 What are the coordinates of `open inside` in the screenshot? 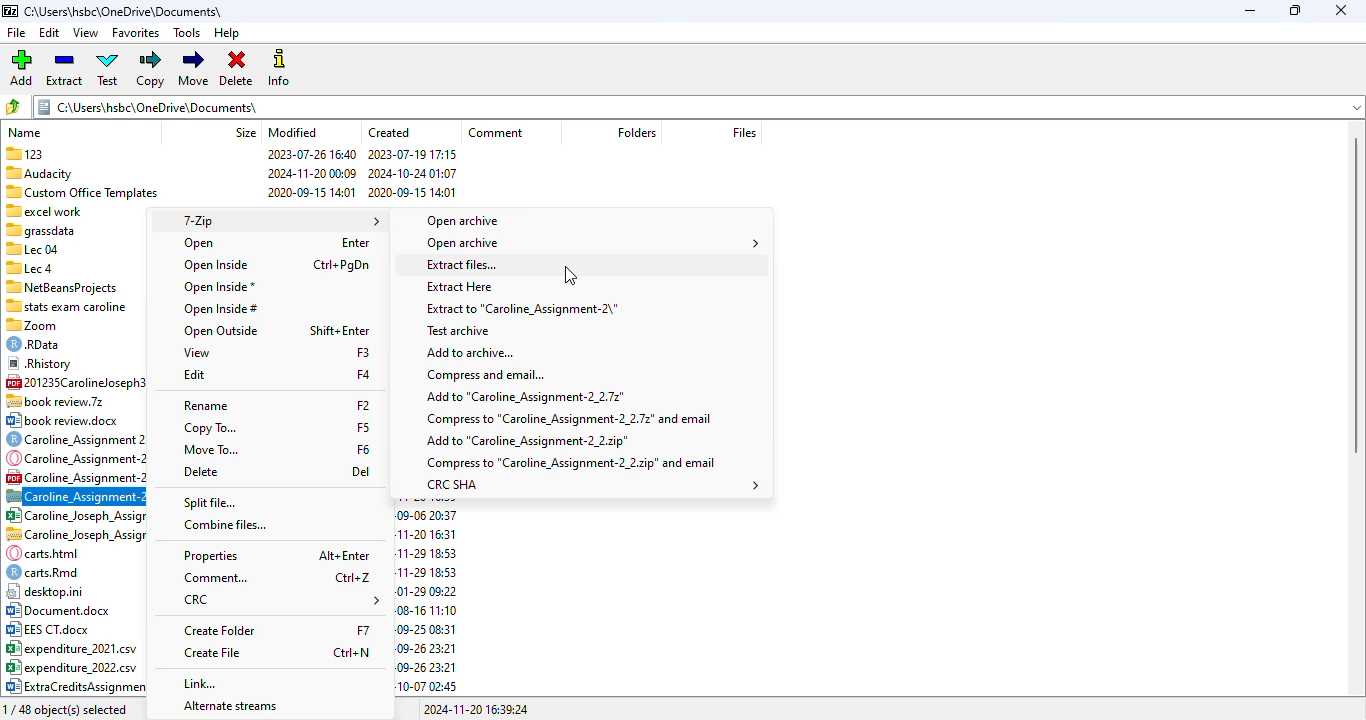 It's located at (217, 266).